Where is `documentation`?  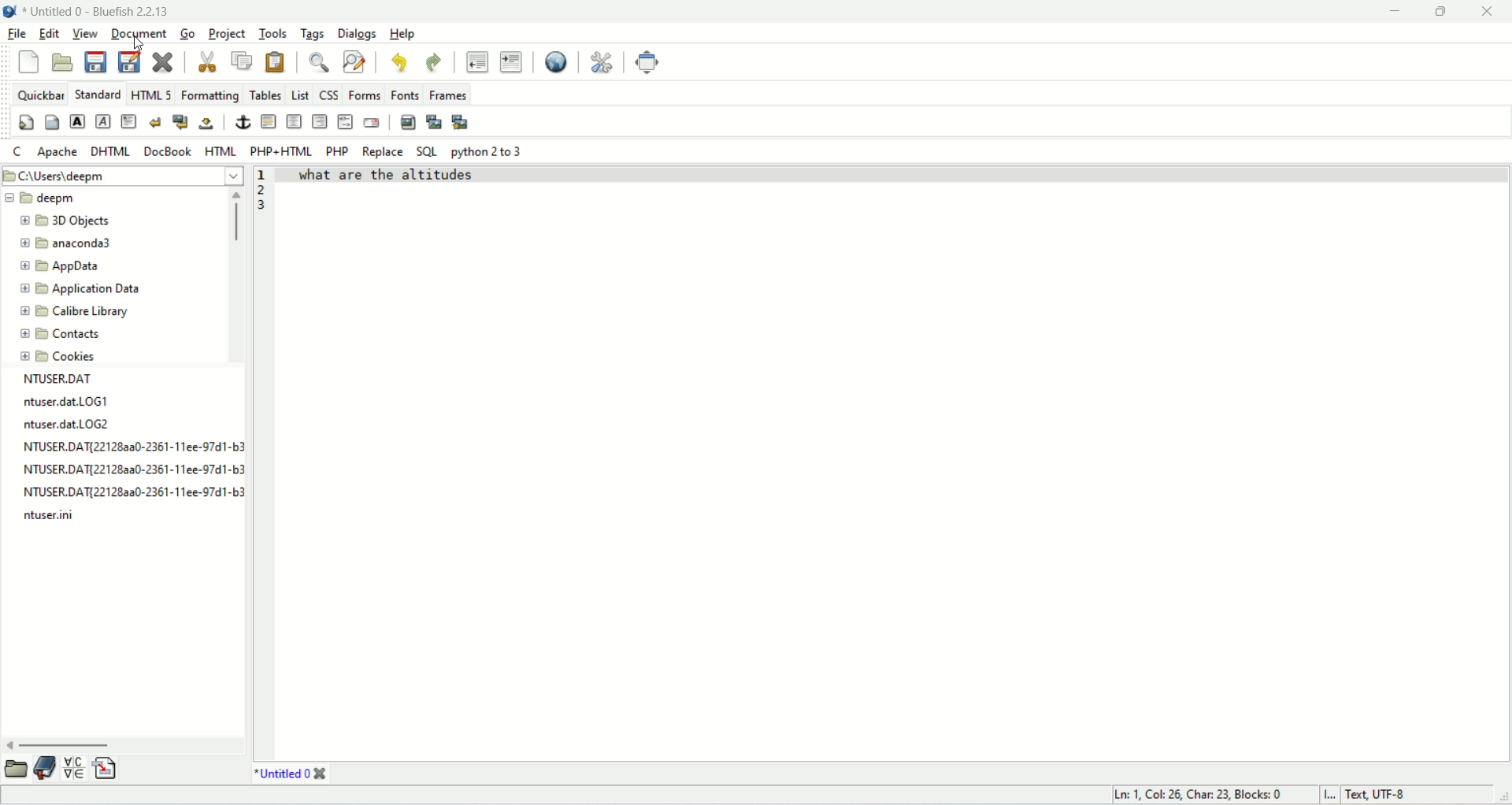 documentation is located at coordinates (43, 769).